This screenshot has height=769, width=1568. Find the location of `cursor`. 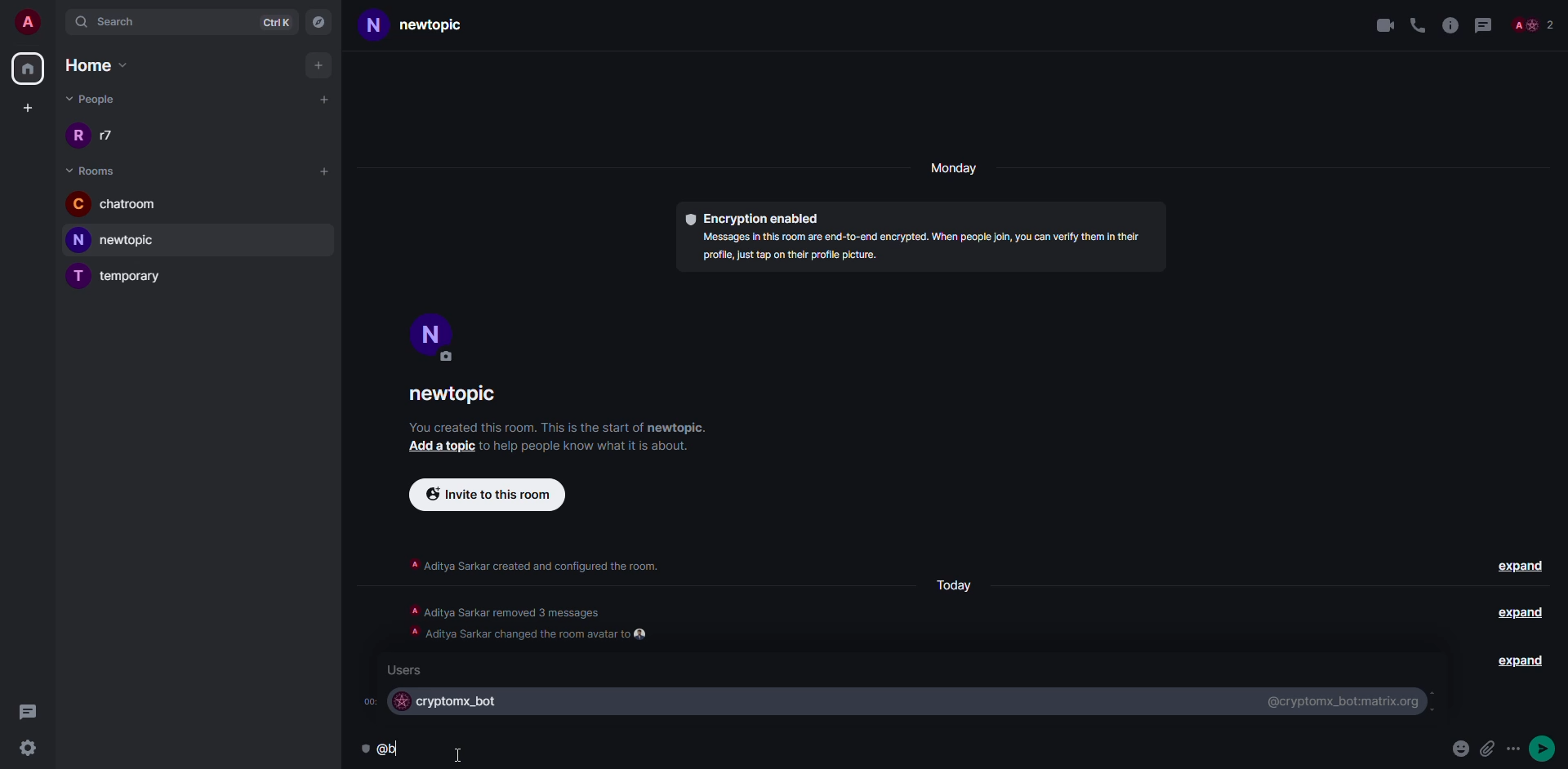

cursor is located at coordinates (463, 752).